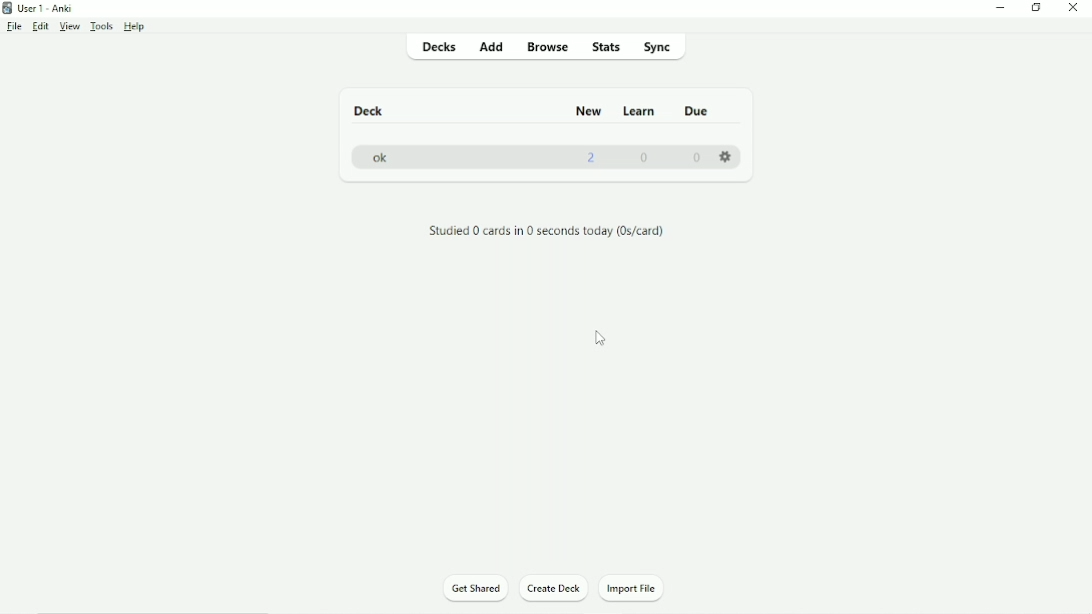 Image resolution: width=1092 pixels, height=614 pixels. Describe the element at coordinates (1075, 8) in the screenshot. I see `Close` at that location.